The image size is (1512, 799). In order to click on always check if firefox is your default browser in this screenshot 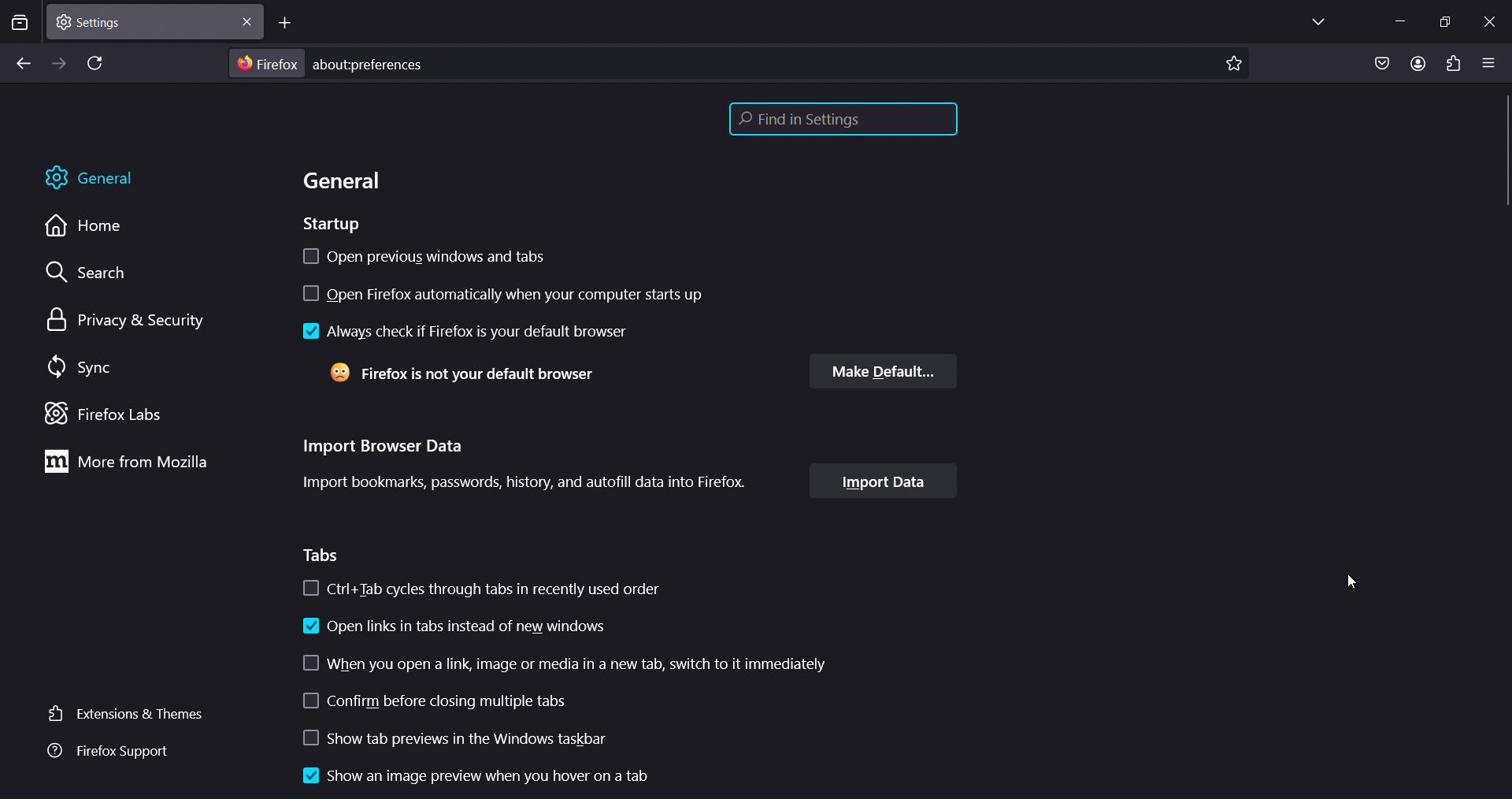, I will do `click(464, 331)`.